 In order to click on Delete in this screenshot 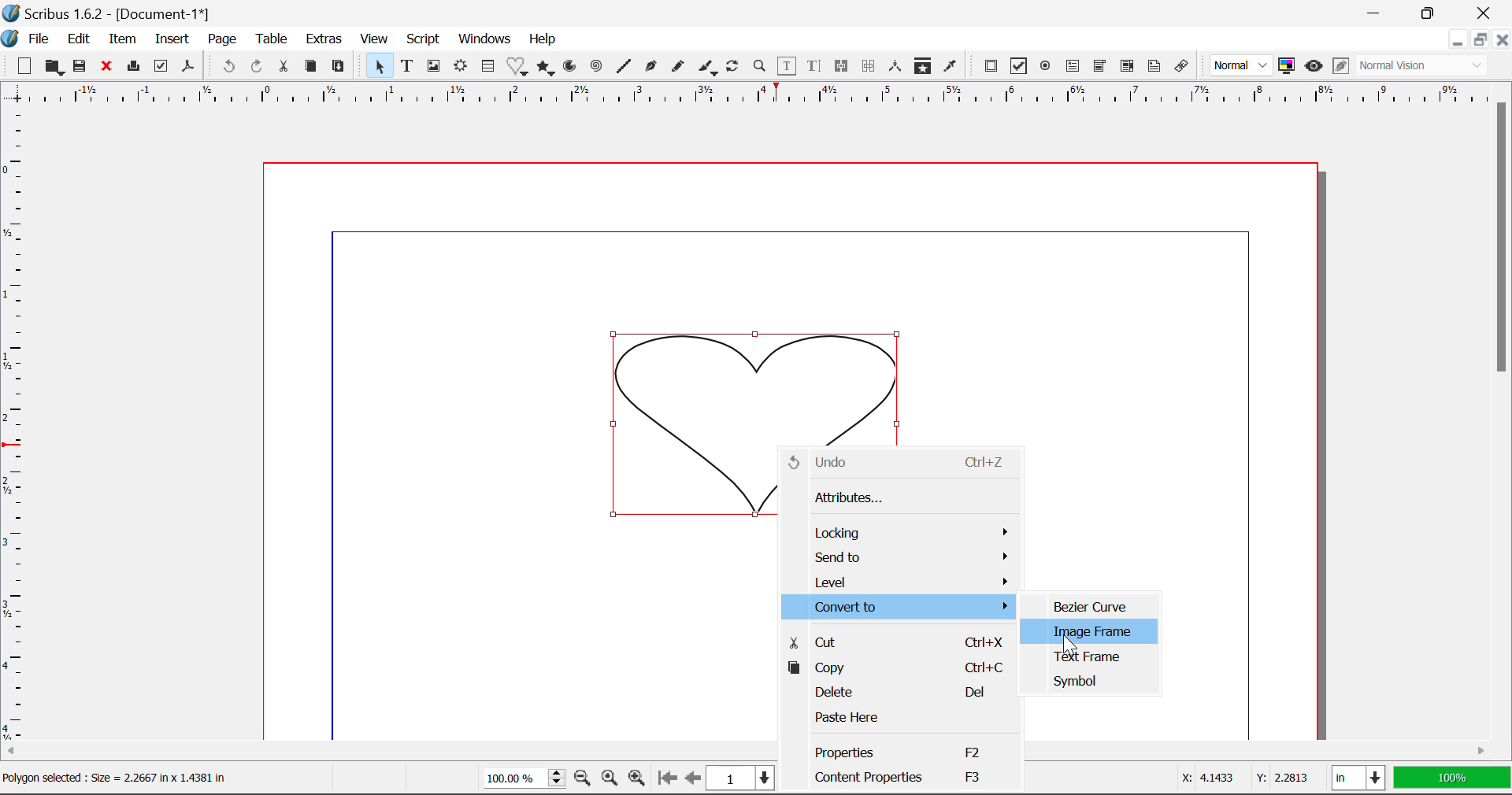, I will do `click(899, 693)`.